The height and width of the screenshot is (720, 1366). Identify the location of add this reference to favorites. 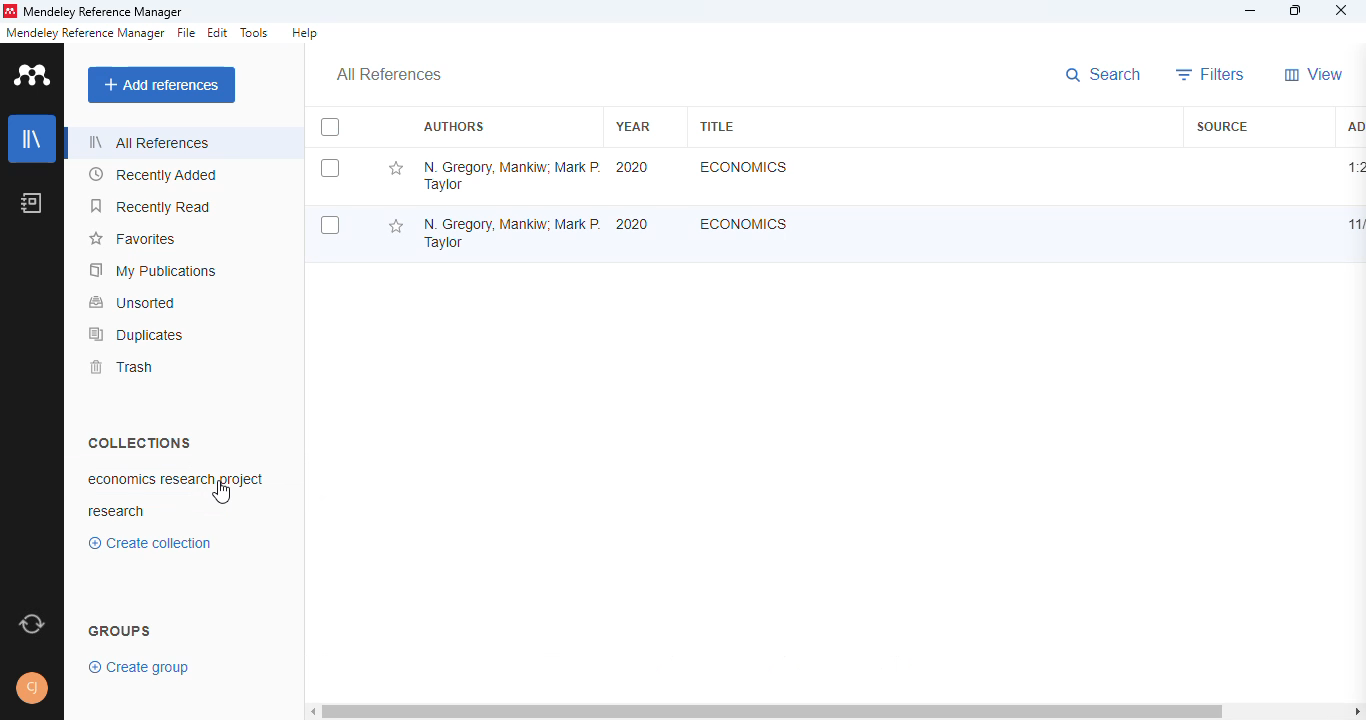
(395, 227).